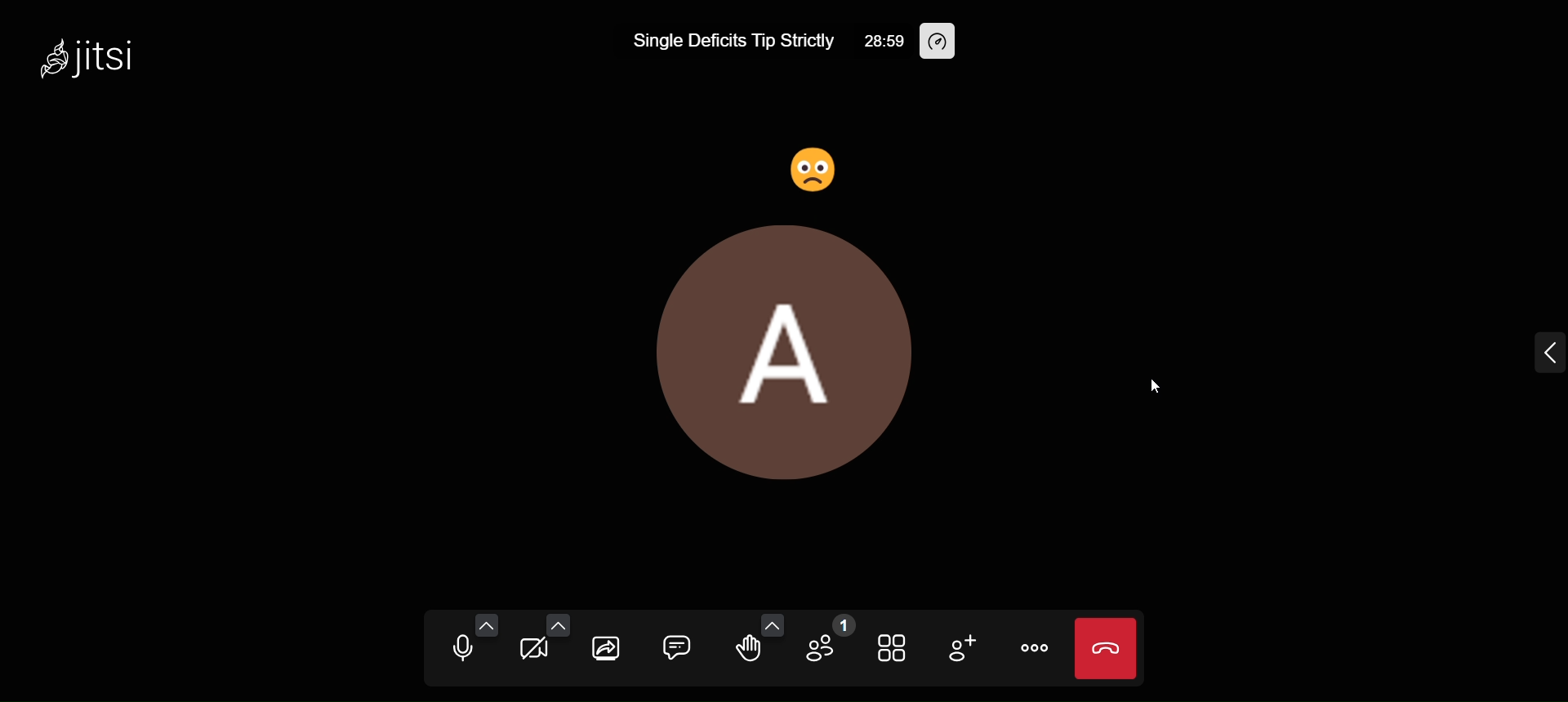  Describe the element at coordinates (672, 646) in the screenshot. I see `open chat` at that location.